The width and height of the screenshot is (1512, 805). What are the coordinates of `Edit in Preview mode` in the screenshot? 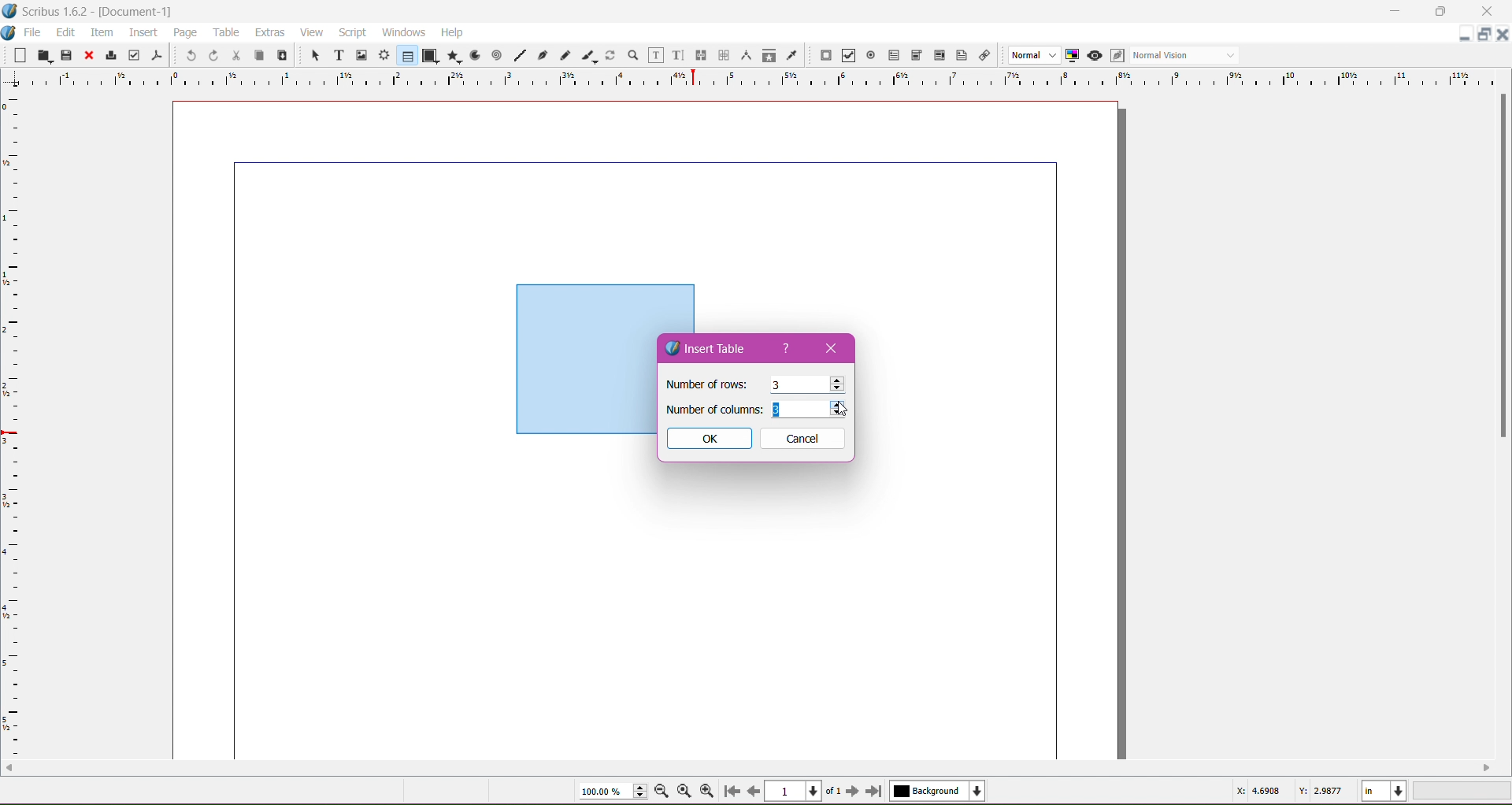 It's located at (1116, 55).